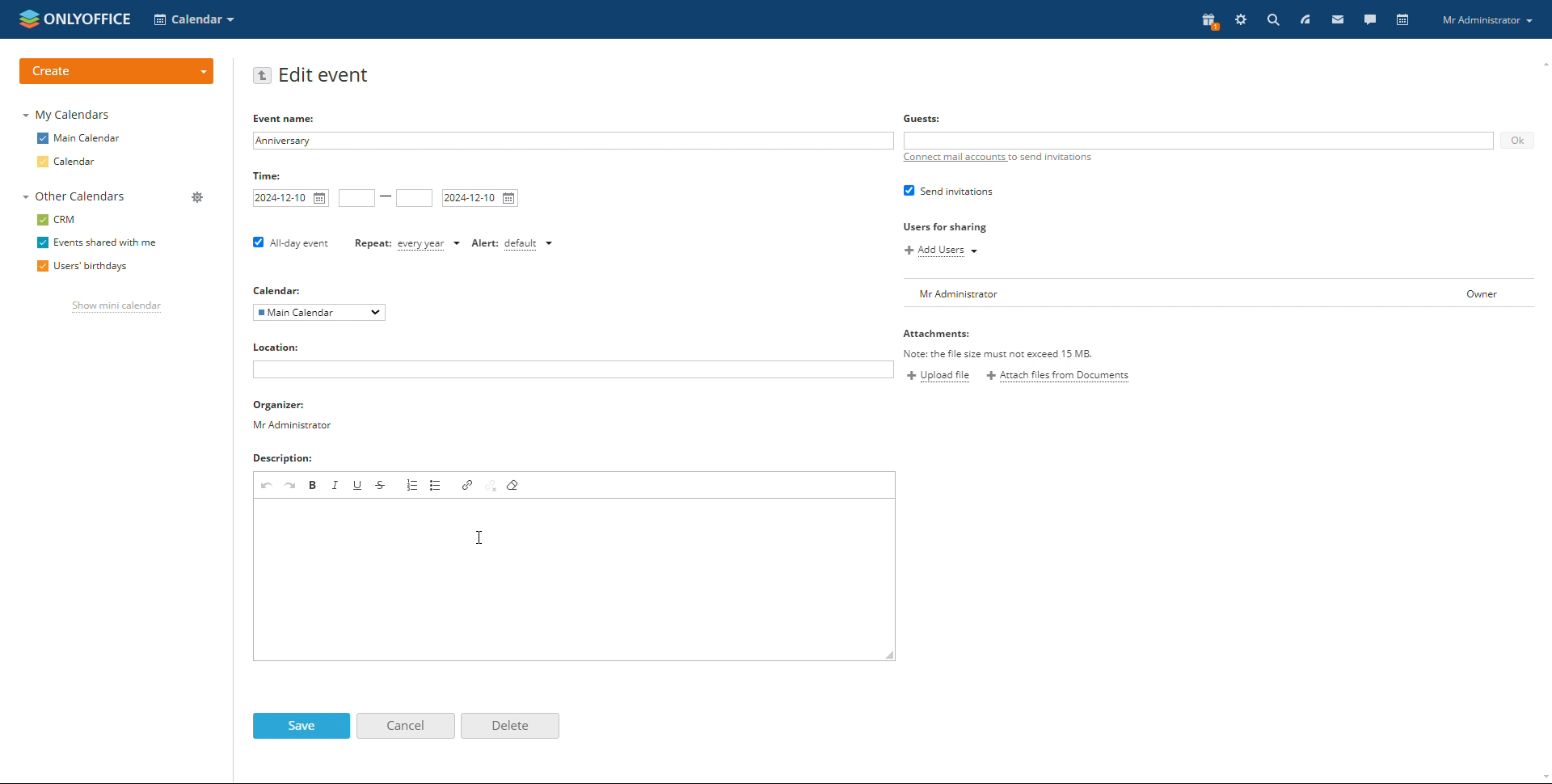  What do you see at coordinates (327, 76) in the screenshot?
I see `edit event` at bounding box center [327, 76].